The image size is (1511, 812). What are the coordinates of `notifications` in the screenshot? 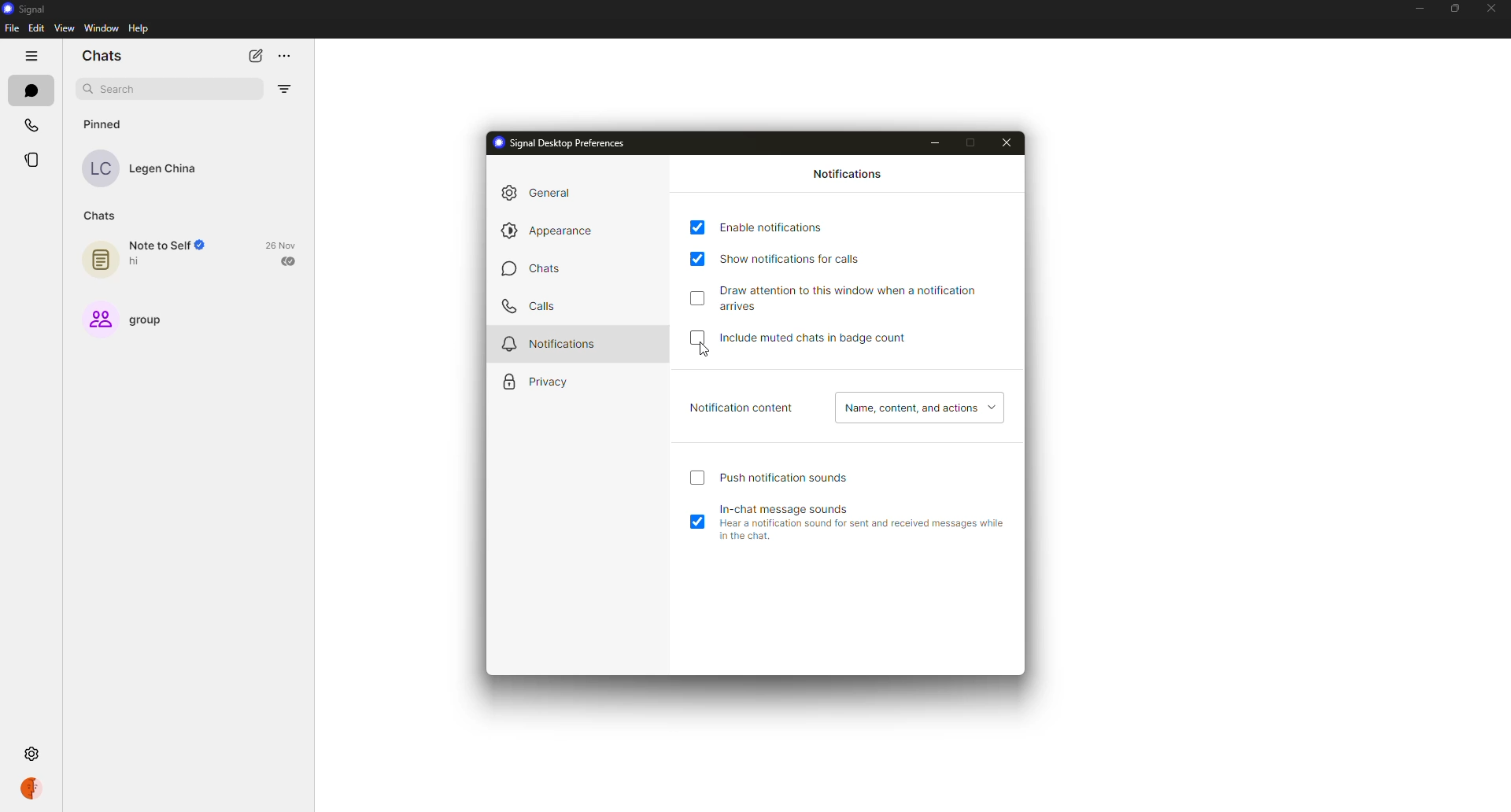 It's located at (555, 341).